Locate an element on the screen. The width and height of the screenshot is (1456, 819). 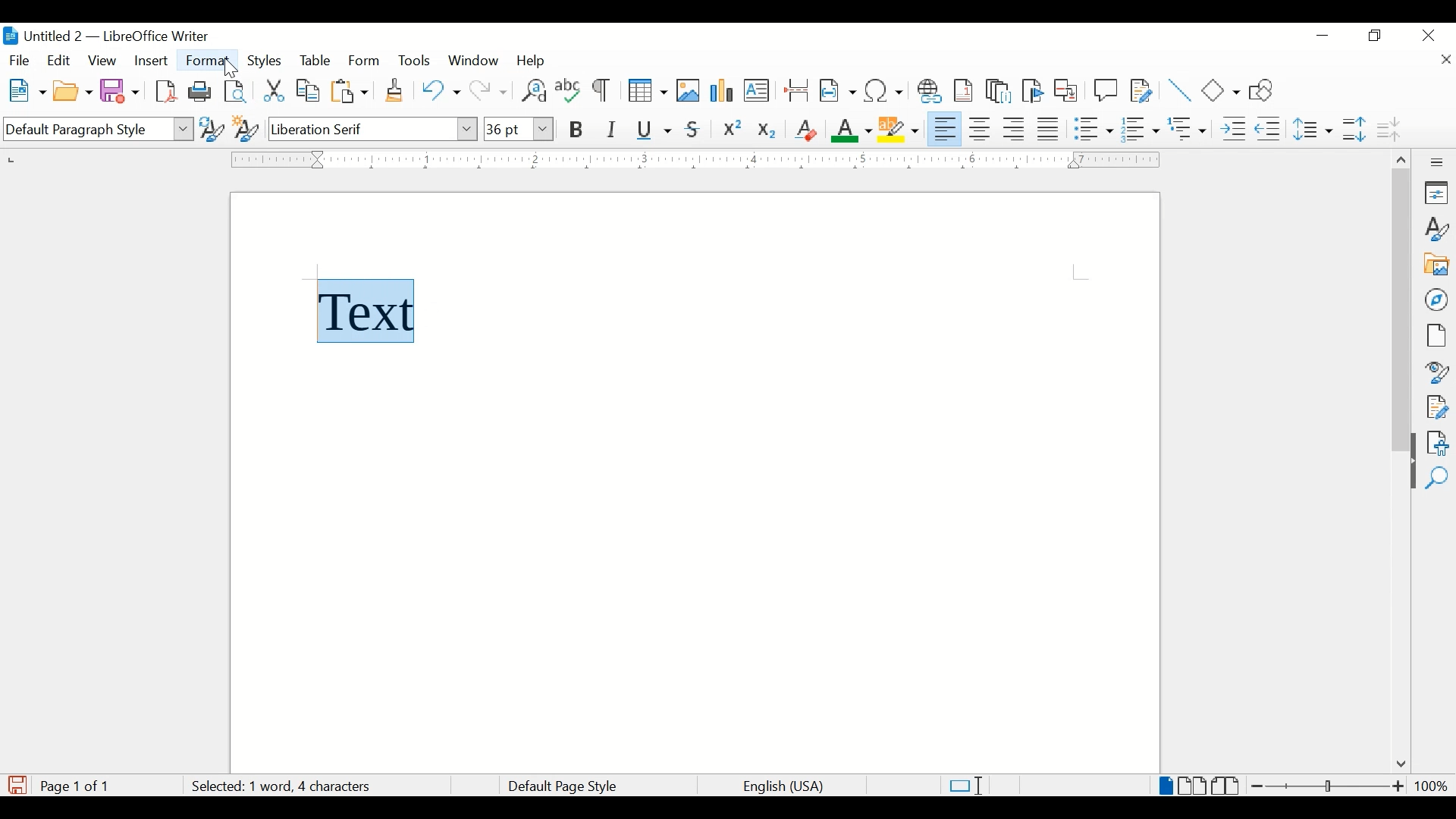
insert hyperlink is located at coordinates (930, 91).